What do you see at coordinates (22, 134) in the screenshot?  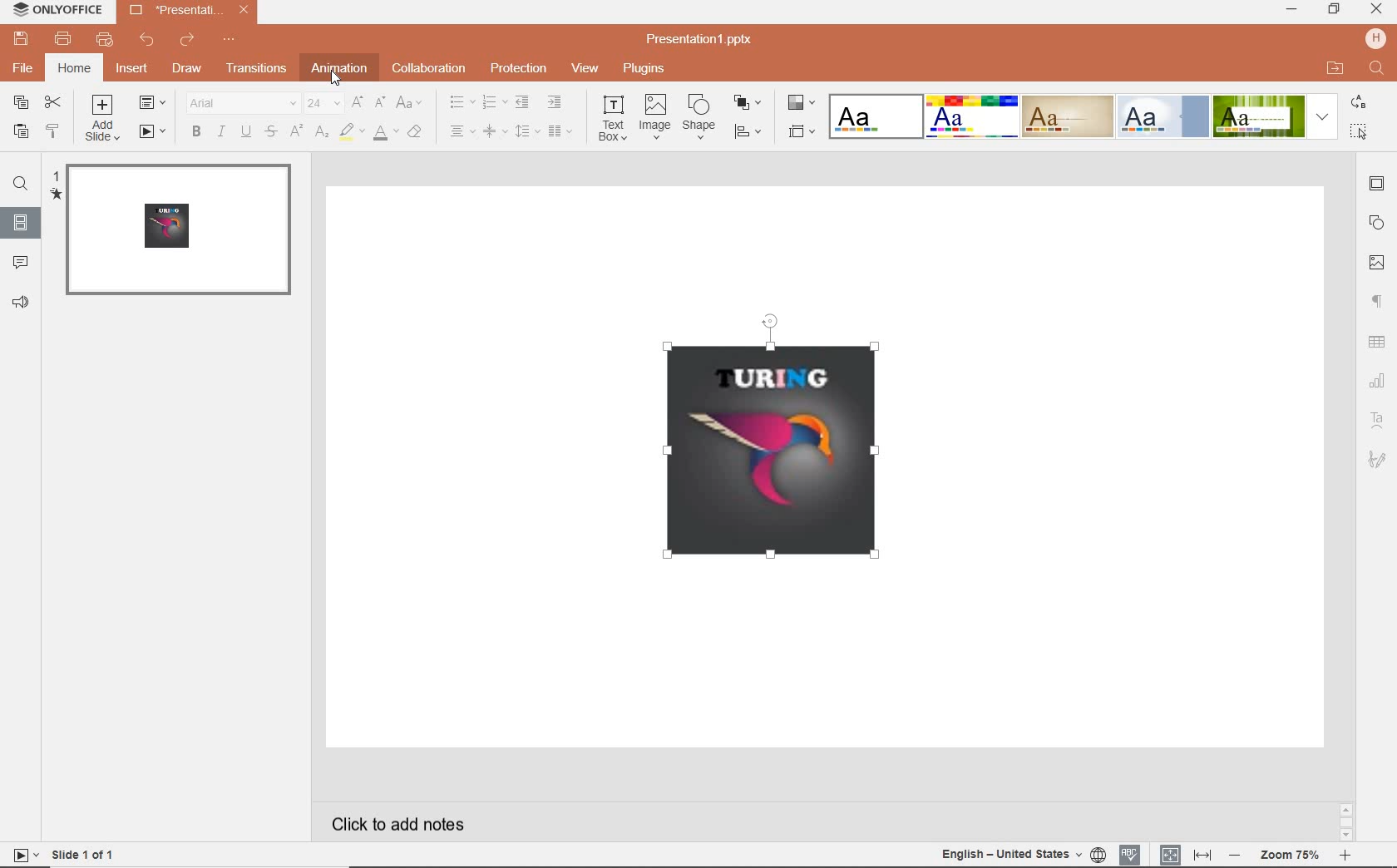 I see `paste` at bounding box center [22, 134].